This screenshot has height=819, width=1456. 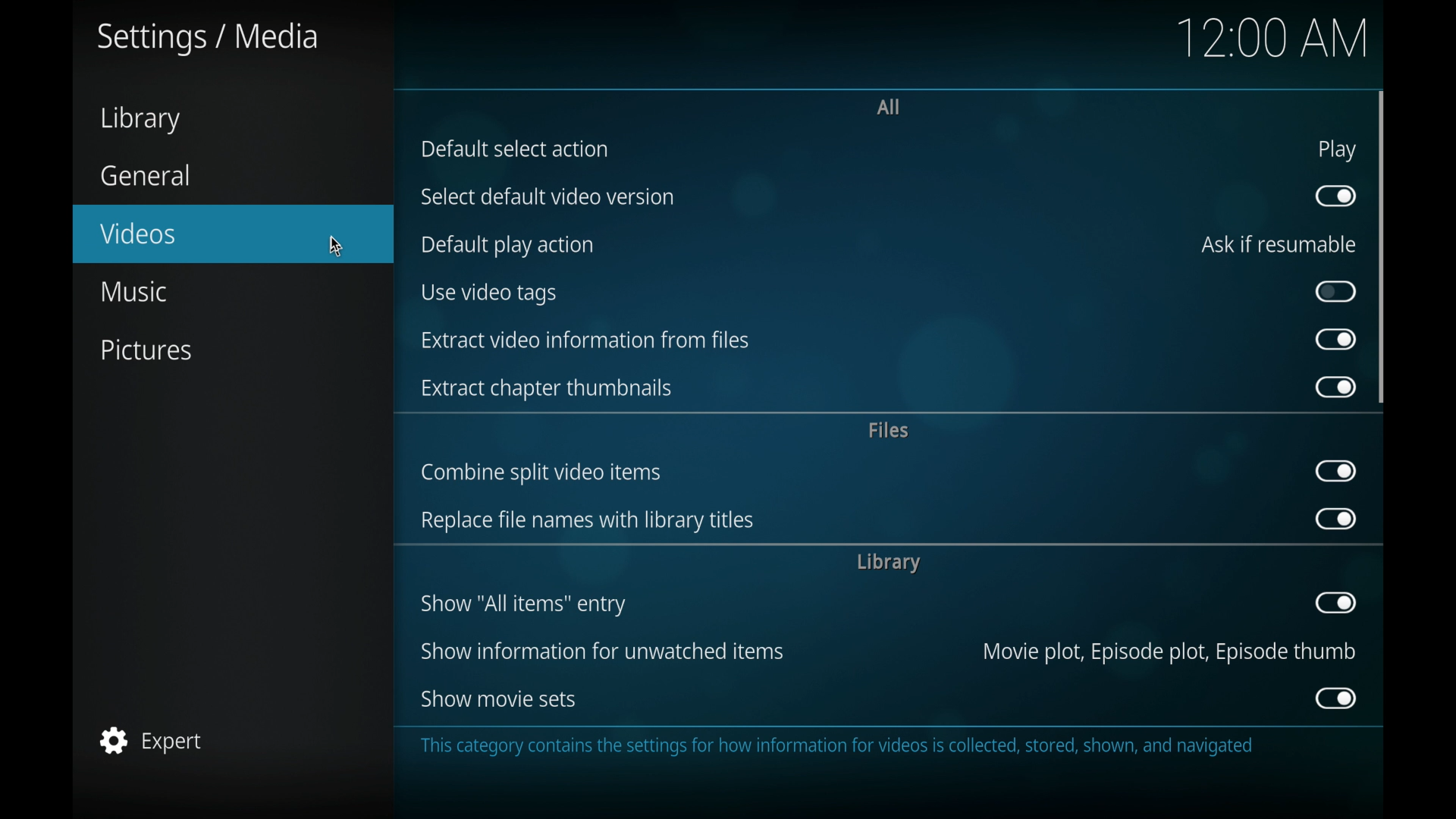 I want to click on movie plot, episode plot, episode thumb, so click(x=1170, y=654).